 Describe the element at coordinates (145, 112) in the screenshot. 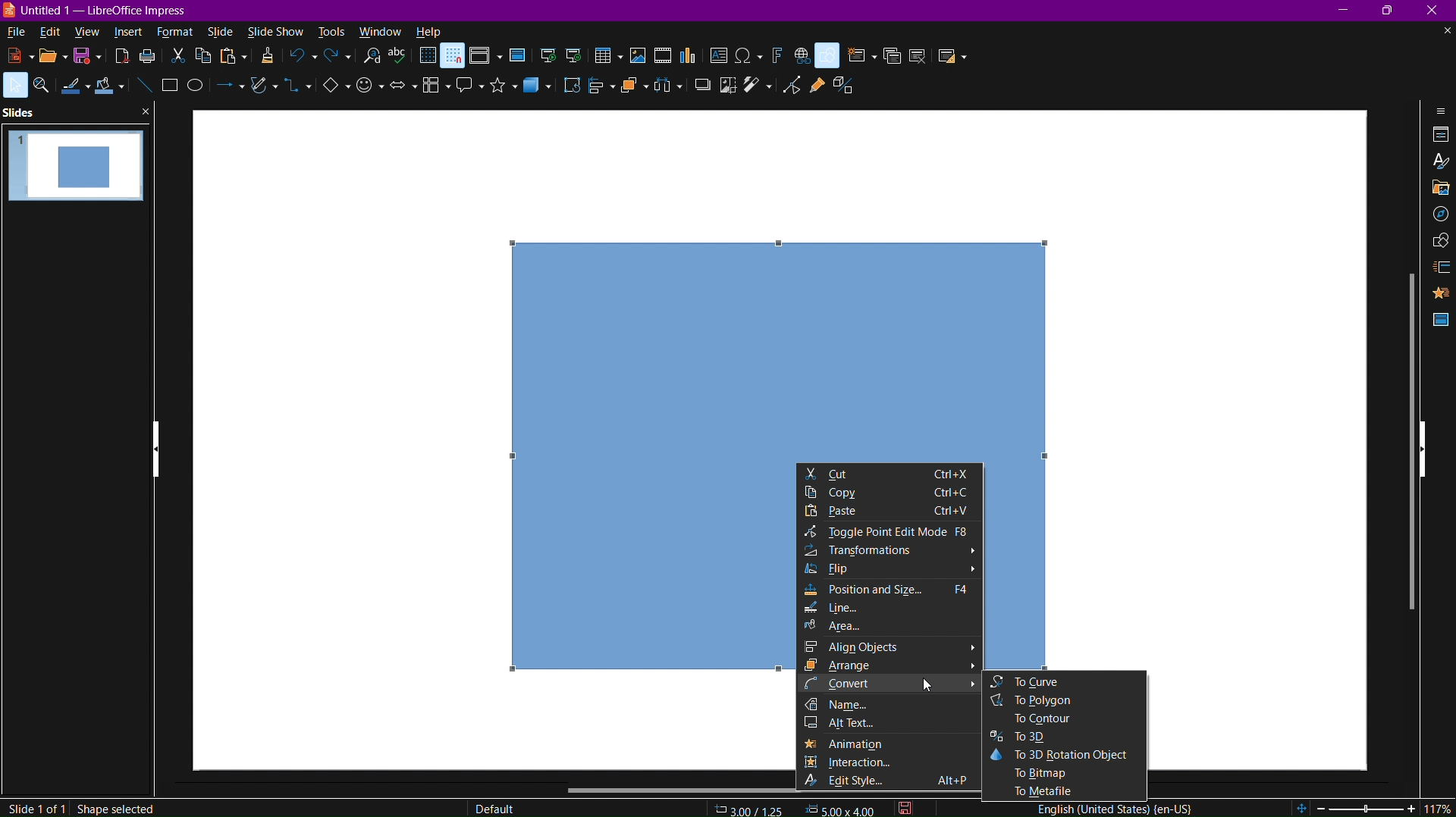

I see `close pane` at that location.